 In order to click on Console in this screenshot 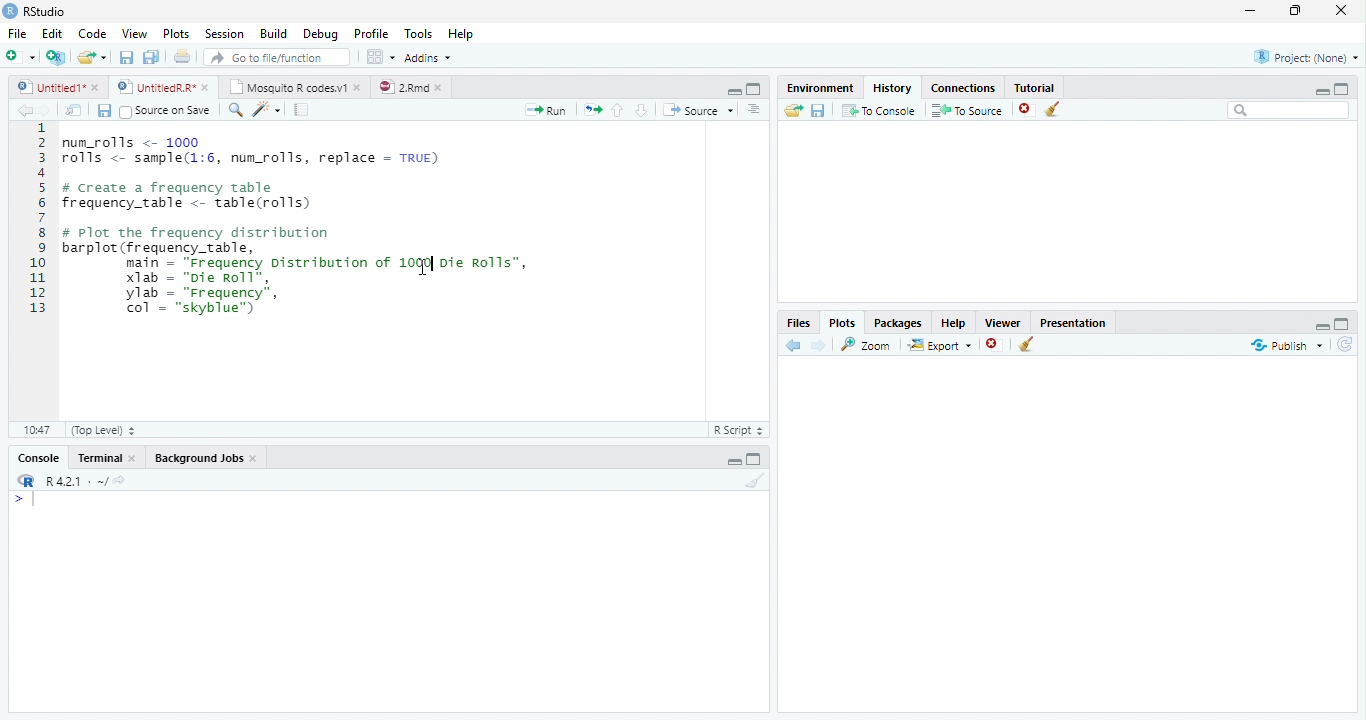, I will do `click(38, 457)`.